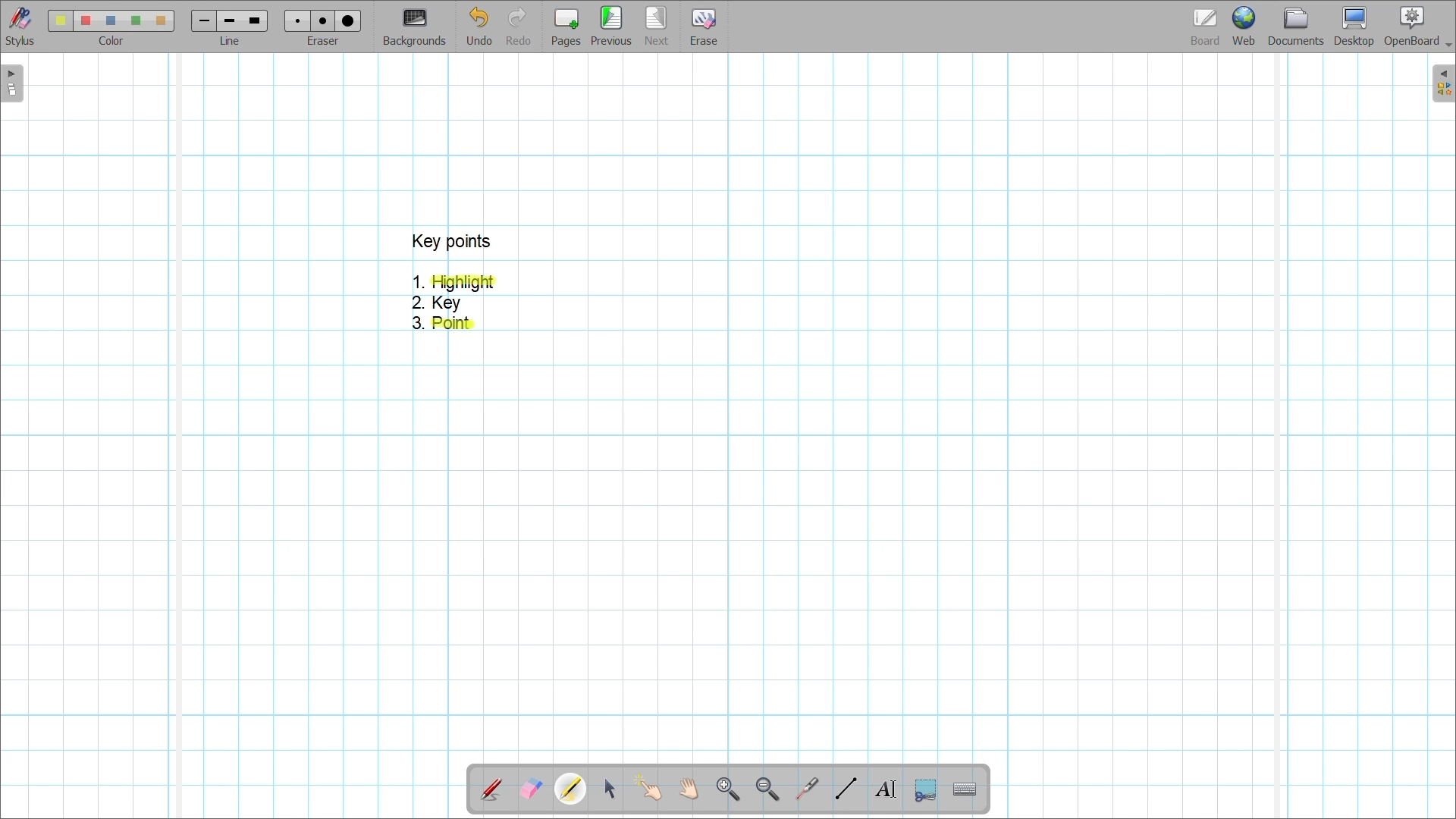  I want to click on eraser, so click(326, 42).